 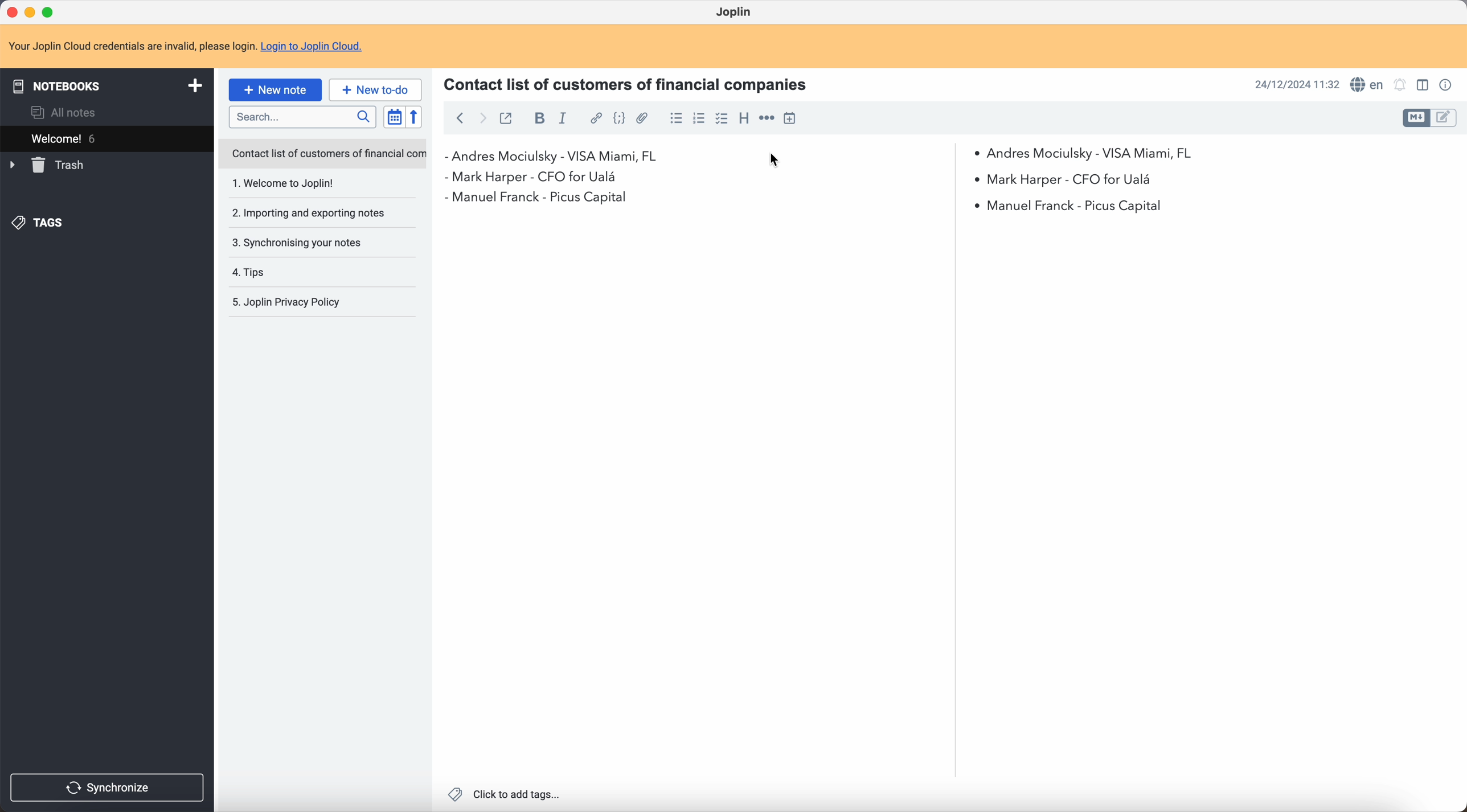 I want to click on click on new note, so click(x=276, y=90).